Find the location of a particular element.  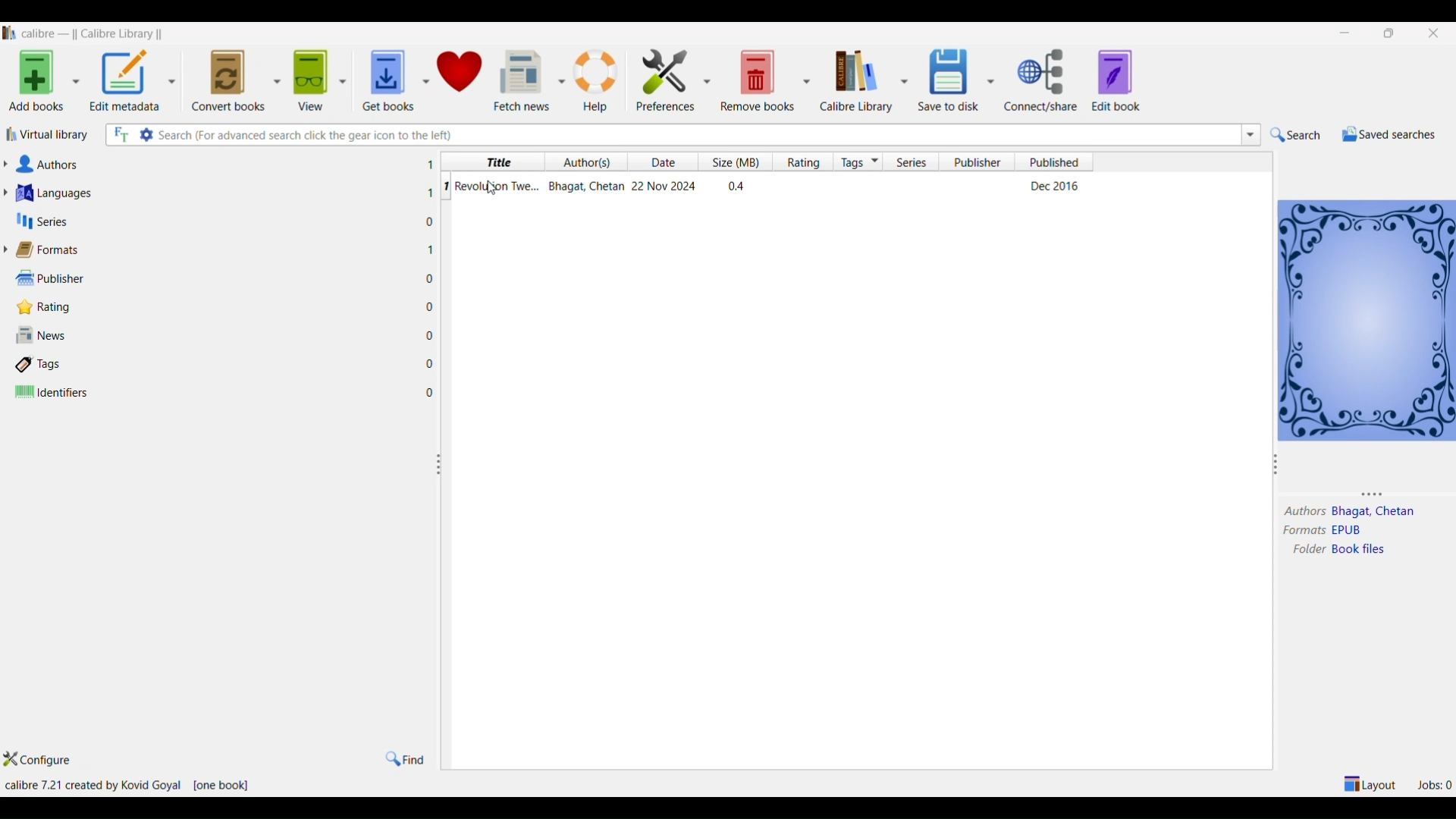

0 is located at coordinates (431, 279).